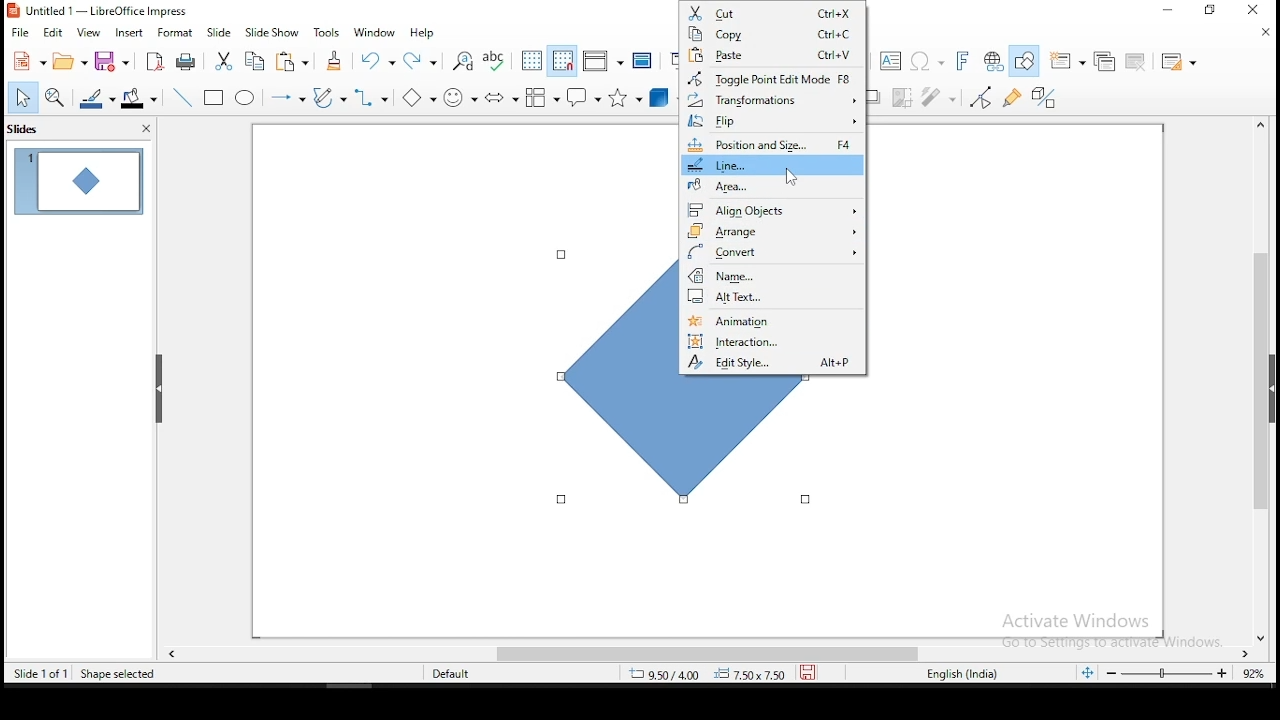 This screenshot has height=720, width=1280. Describe the element at coordinates (1105, 631) in the screenshot. I see `activate windows` at that location.